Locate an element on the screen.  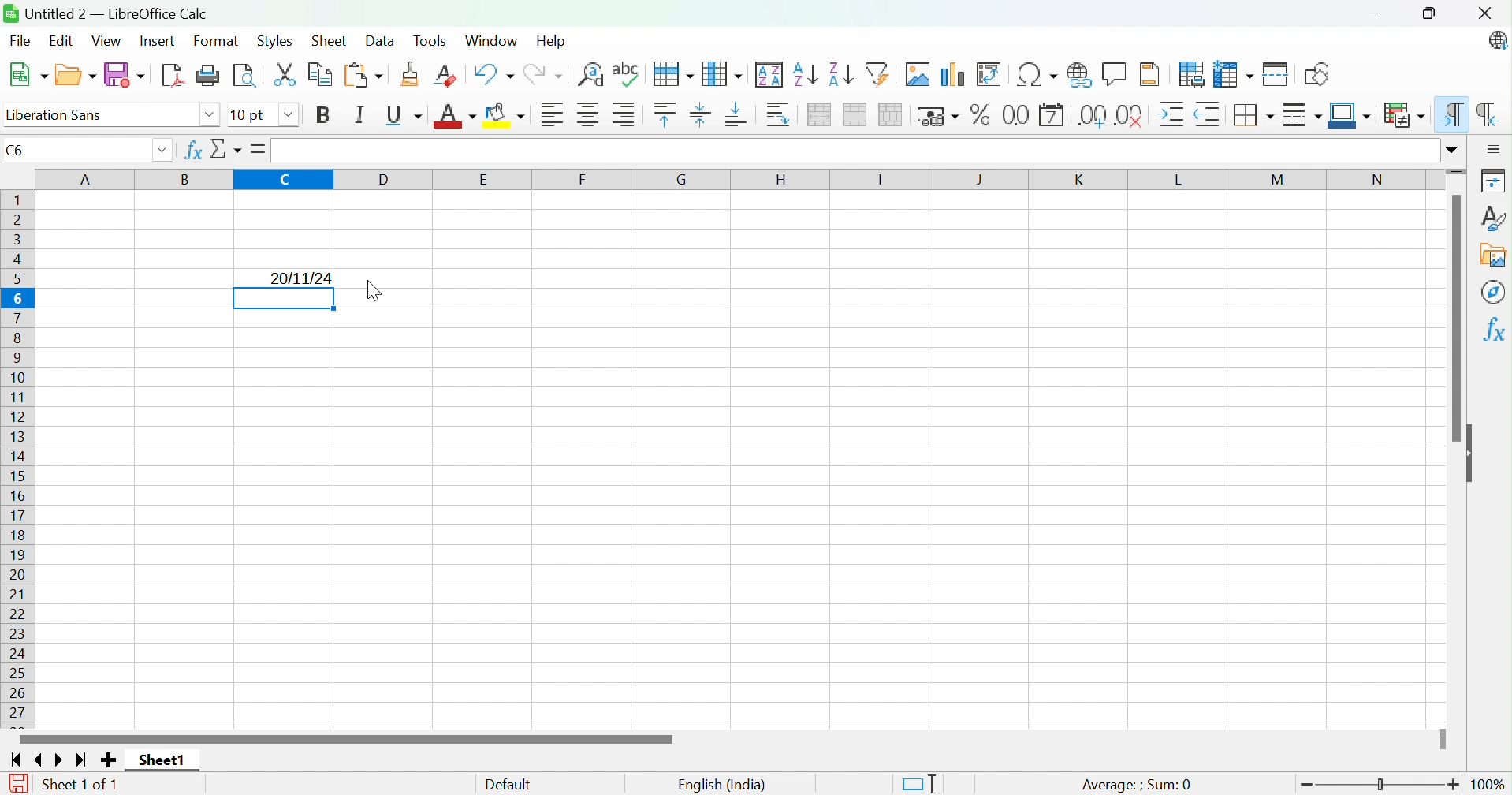
Hide is located at coordinates (1473, 455).